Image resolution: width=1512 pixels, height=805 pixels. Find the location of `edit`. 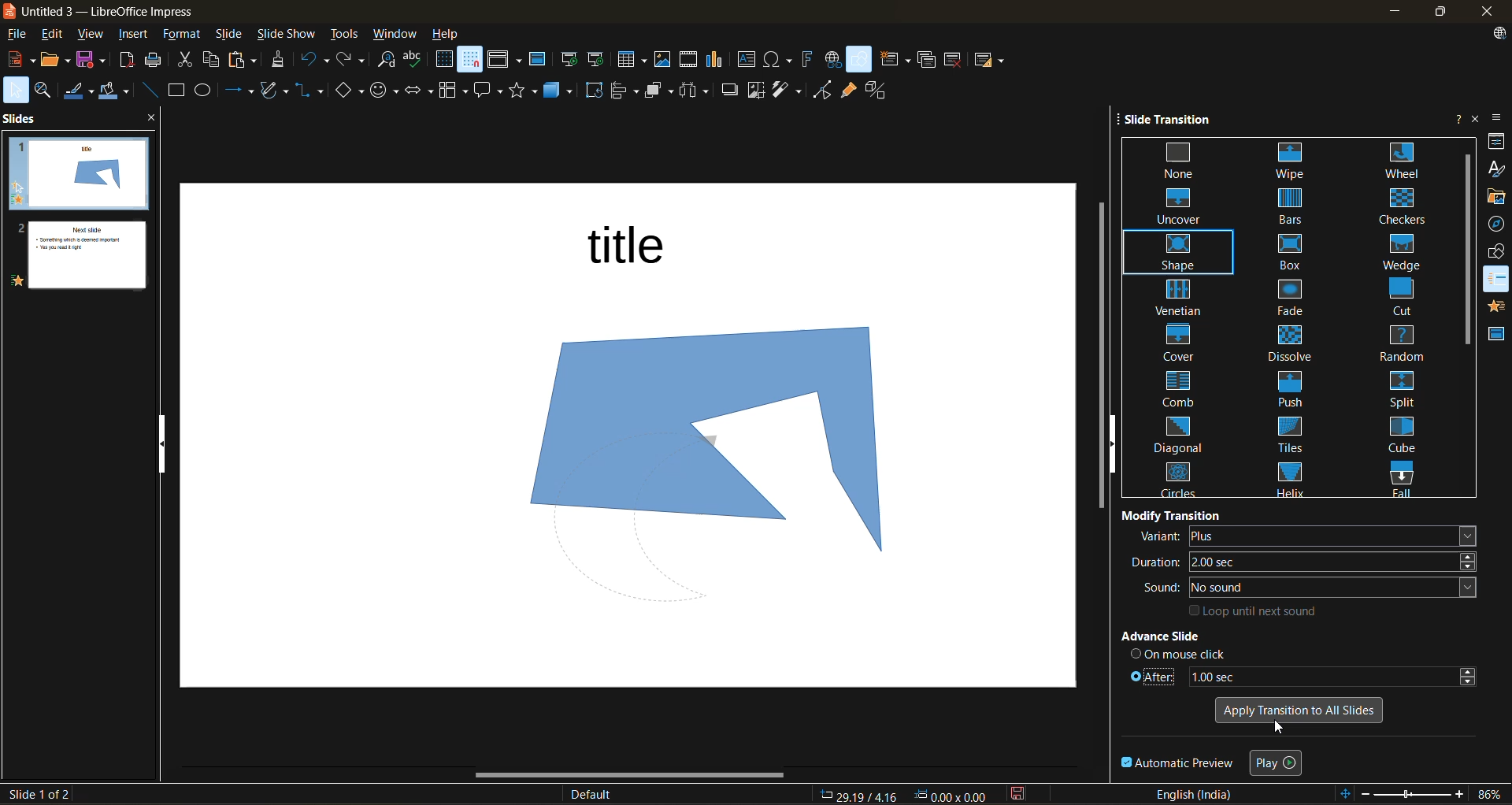

edit is located at coordinates (57, 36).